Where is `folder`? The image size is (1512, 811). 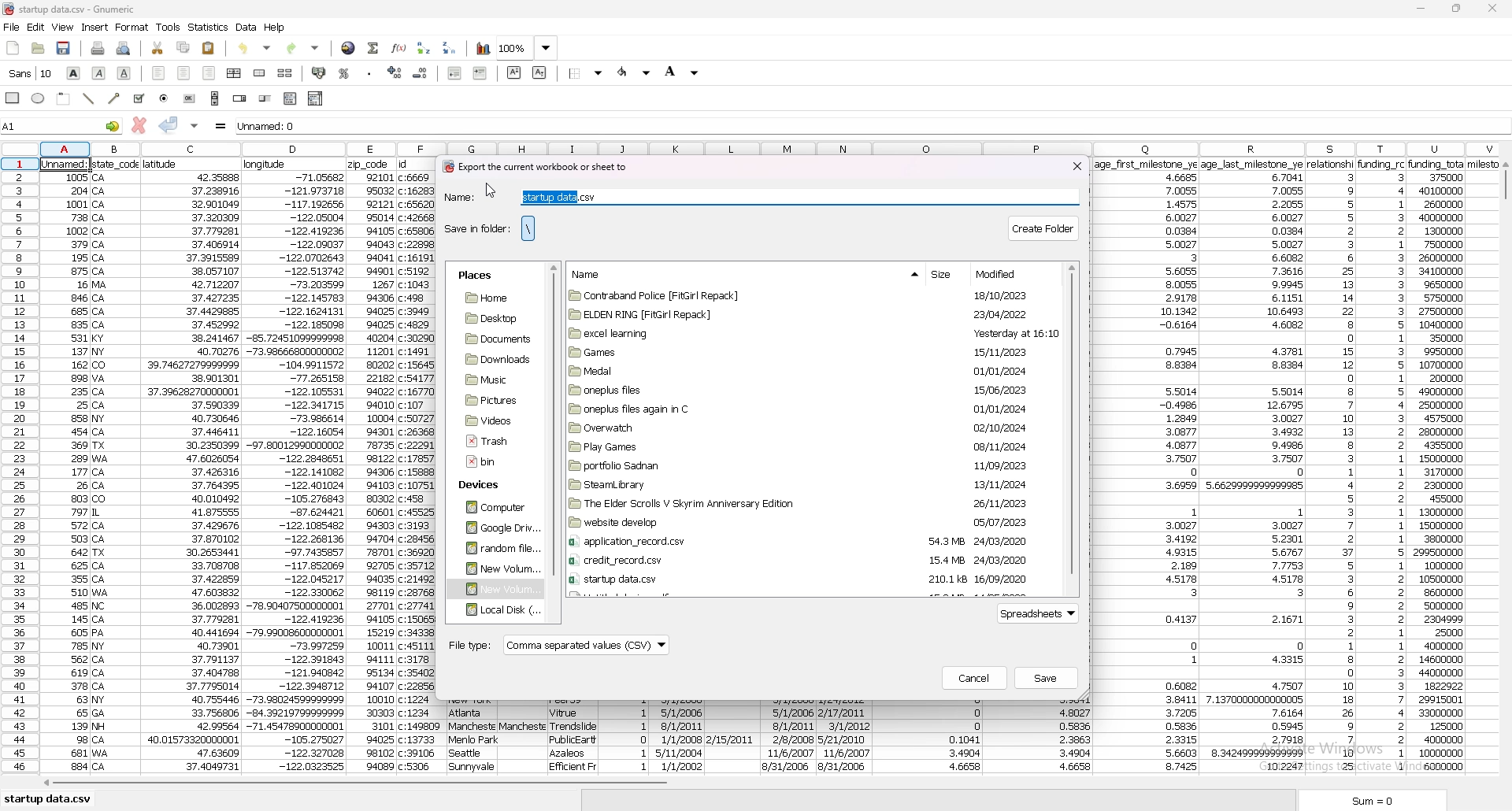
folder is located at coordinates (492, 317).